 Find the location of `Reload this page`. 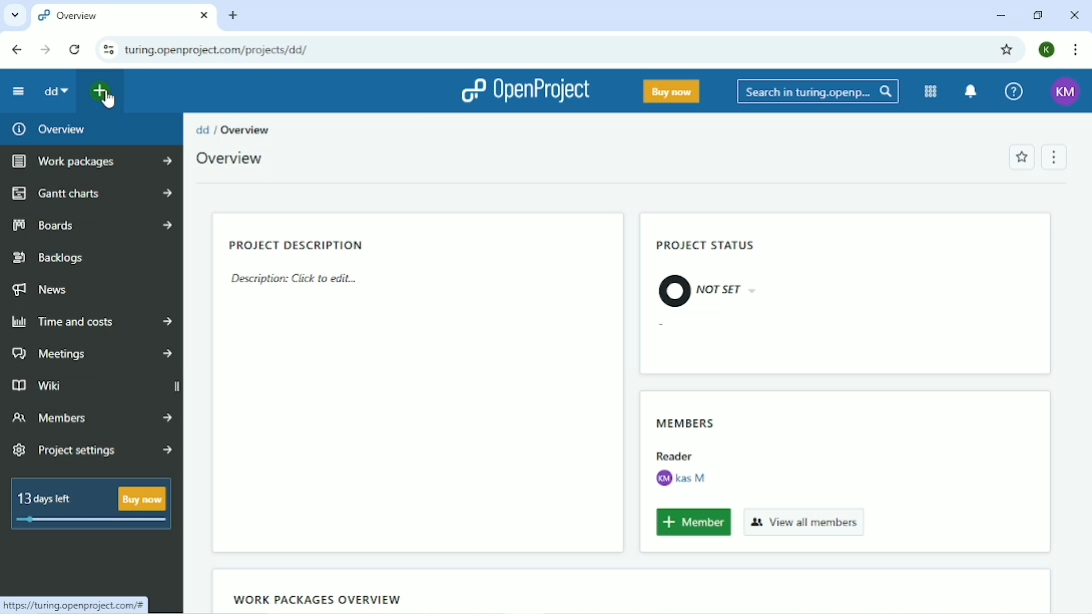

Reload this page is located at coordinates (76, 50).